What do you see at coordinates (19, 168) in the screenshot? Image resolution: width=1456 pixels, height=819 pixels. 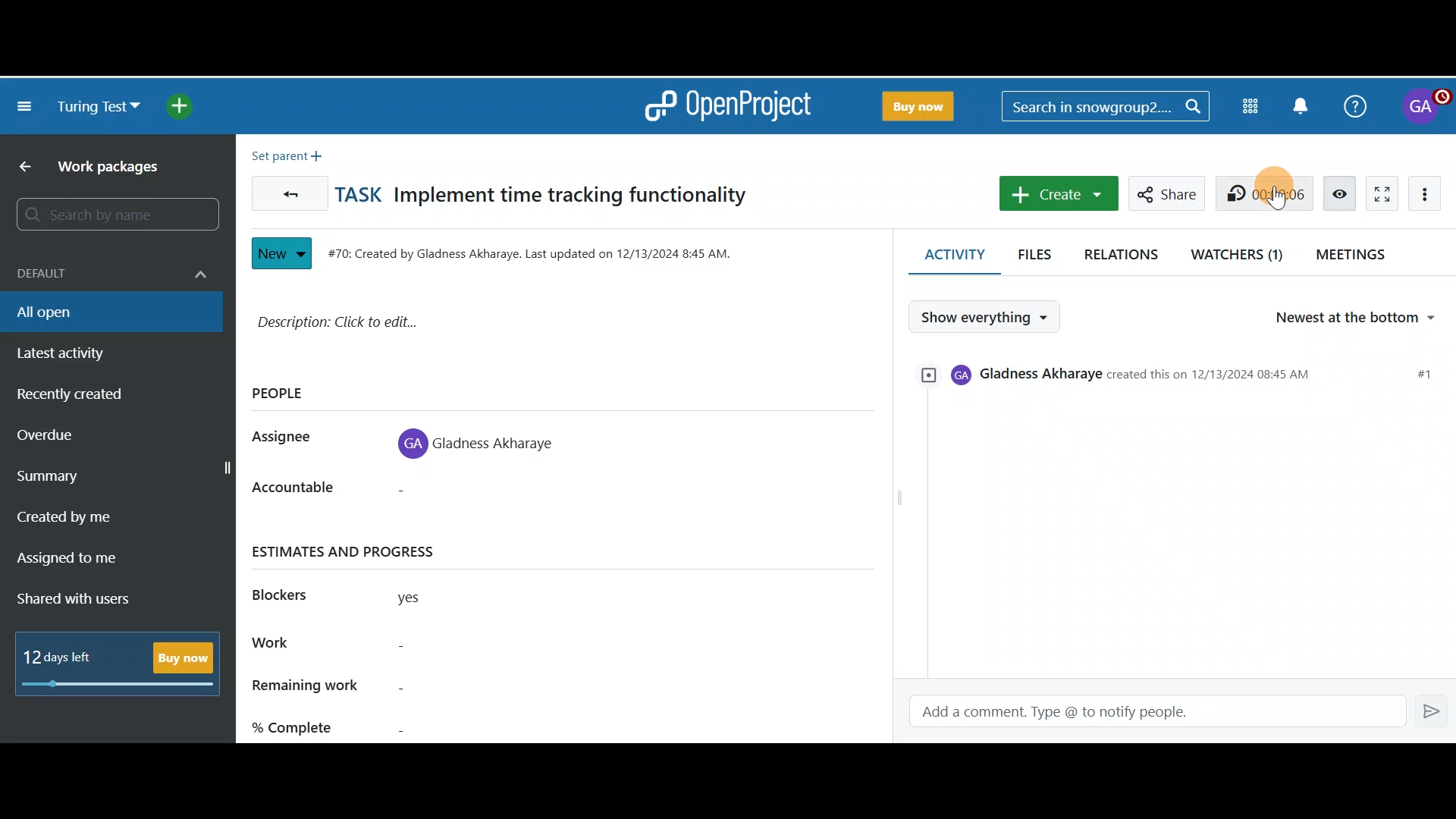 I see `Back` at bounding box center [19, 168].